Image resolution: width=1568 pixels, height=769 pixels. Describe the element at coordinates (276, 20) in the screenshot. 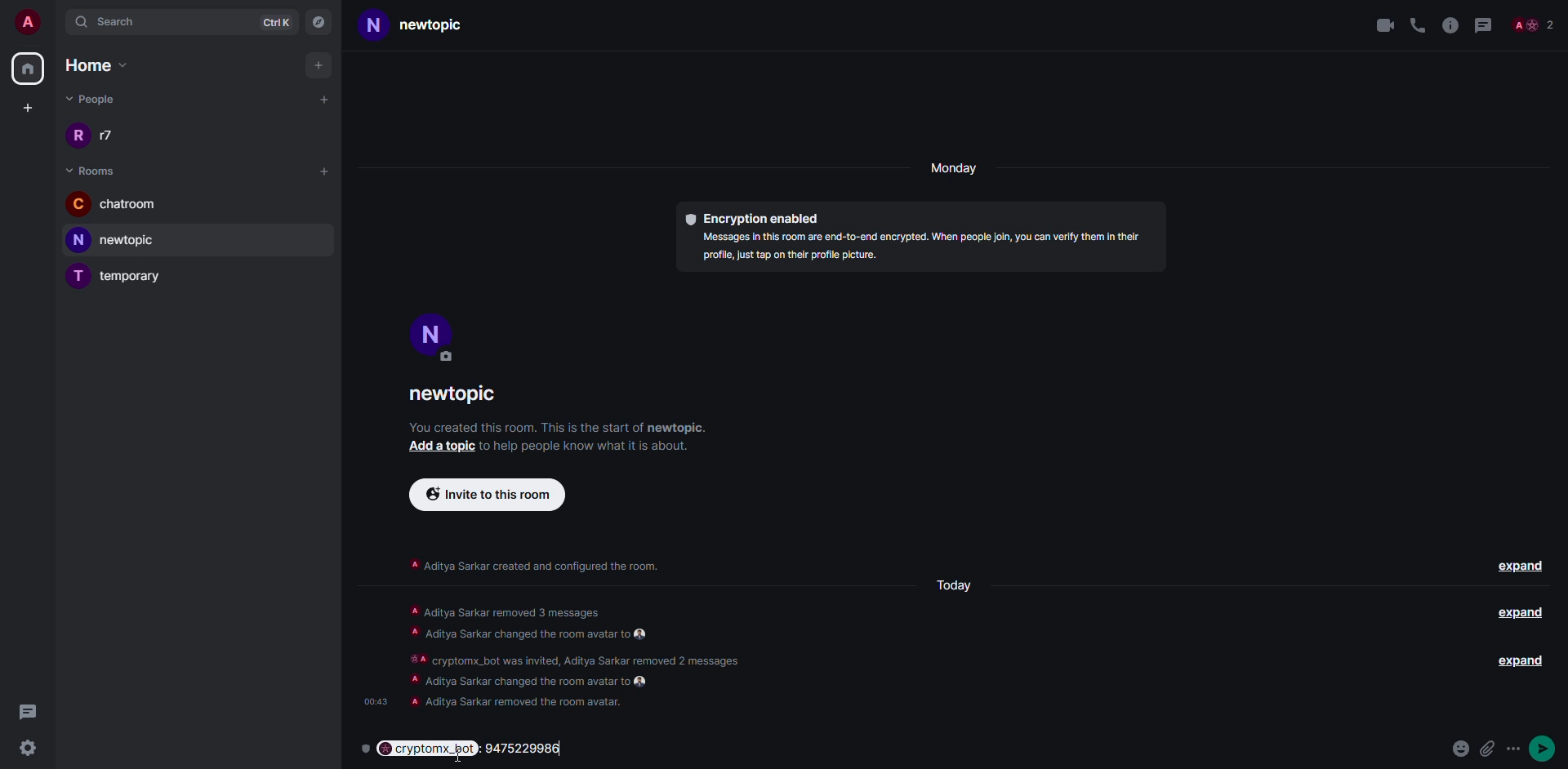

I see `ctrlK` at that location.